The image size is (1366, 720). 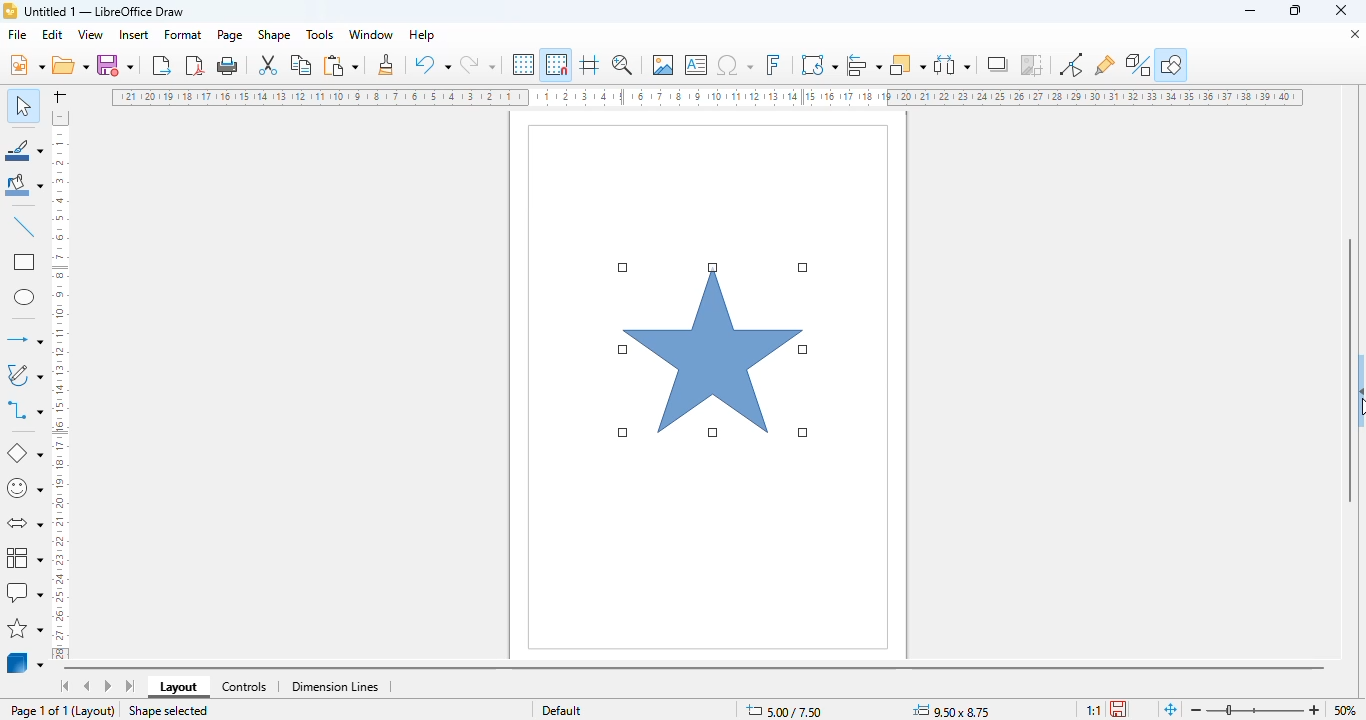 I want to click on title, so click(x=104, y=11).